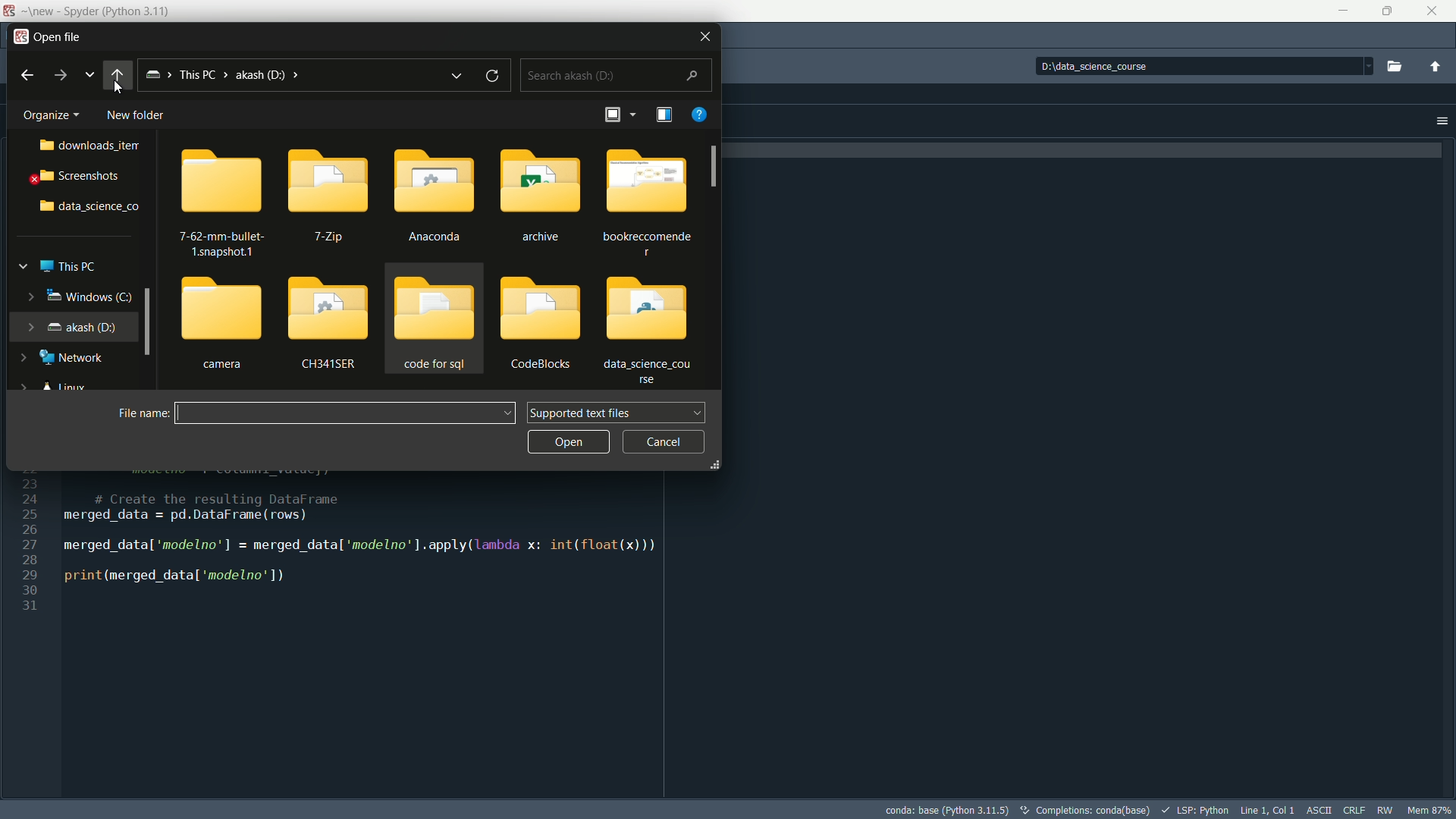 This screenshot has width=1456, height=819. Describe the element at coordinates (23, 75) in the screenshot. I see `back` at that location.